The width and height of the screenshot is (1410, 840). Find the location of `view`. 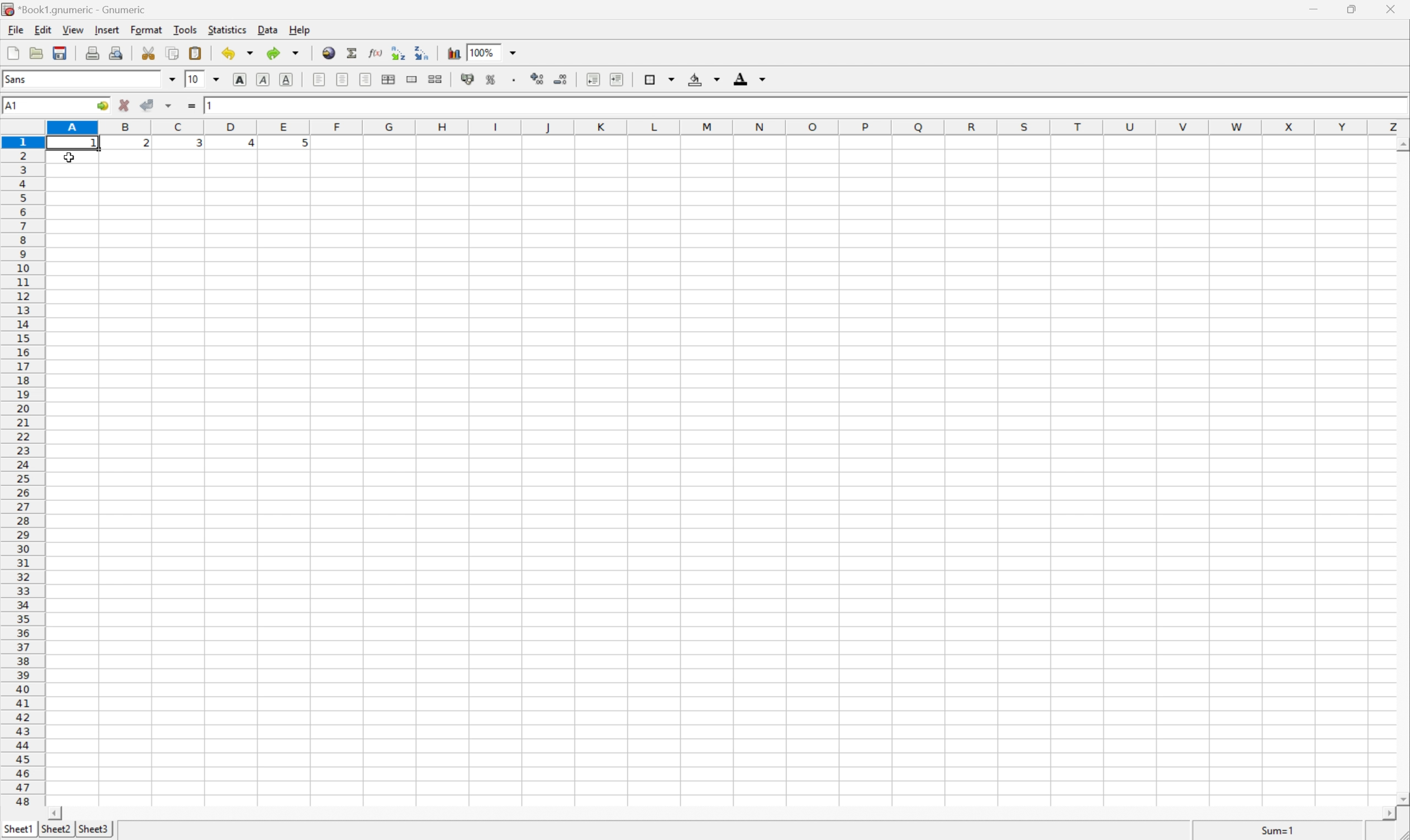

view is located at coordinates (72, 29).